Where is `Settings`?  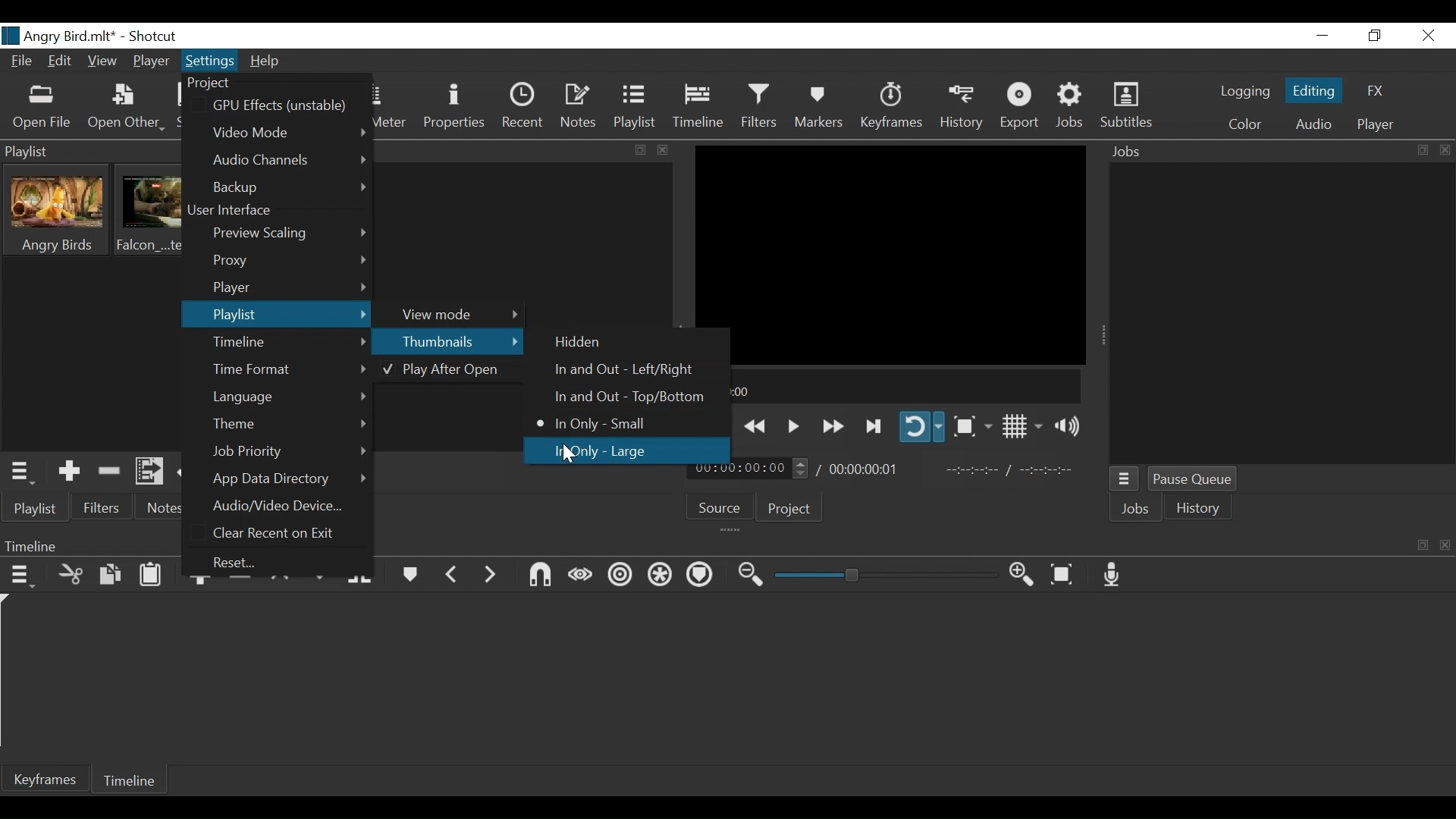
Settings is located at coordinates (211, 60).